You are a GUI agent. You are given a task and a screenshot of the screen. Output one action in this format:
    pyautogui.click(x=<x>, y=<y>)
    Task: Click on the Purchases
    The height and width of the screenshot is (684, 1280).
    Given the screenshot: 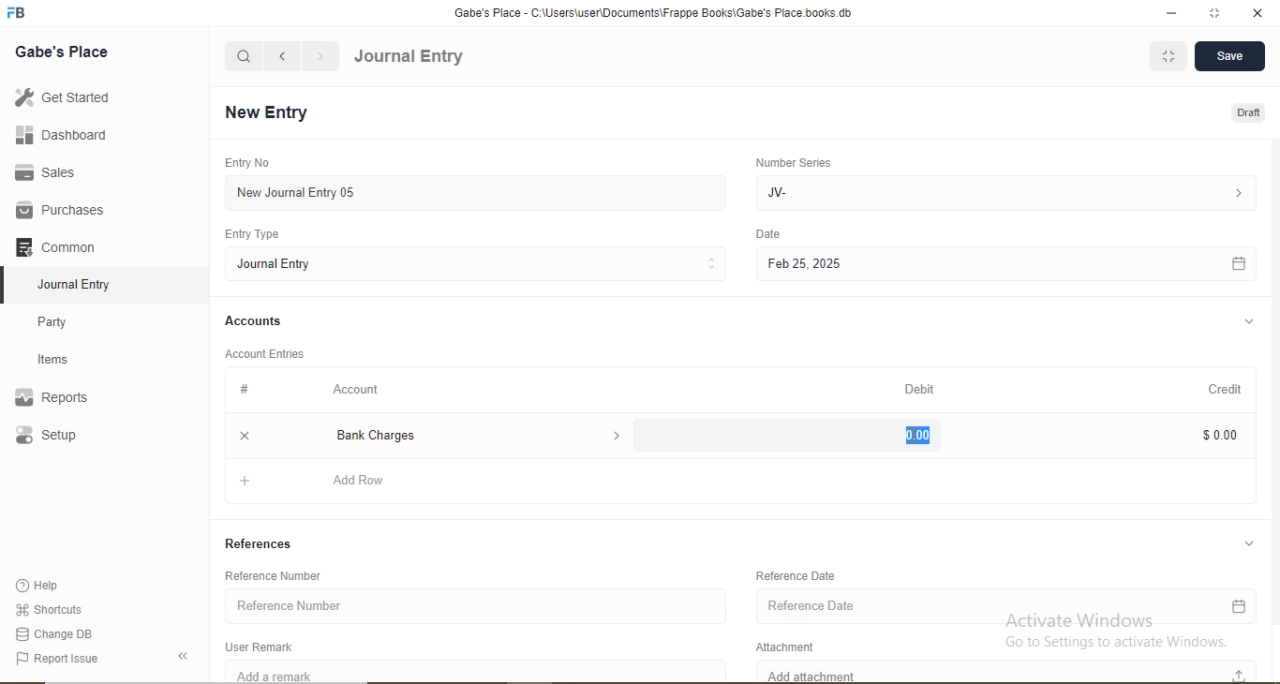 What is the action you would take?
    pyautogui.click(x=60, y=210)
    